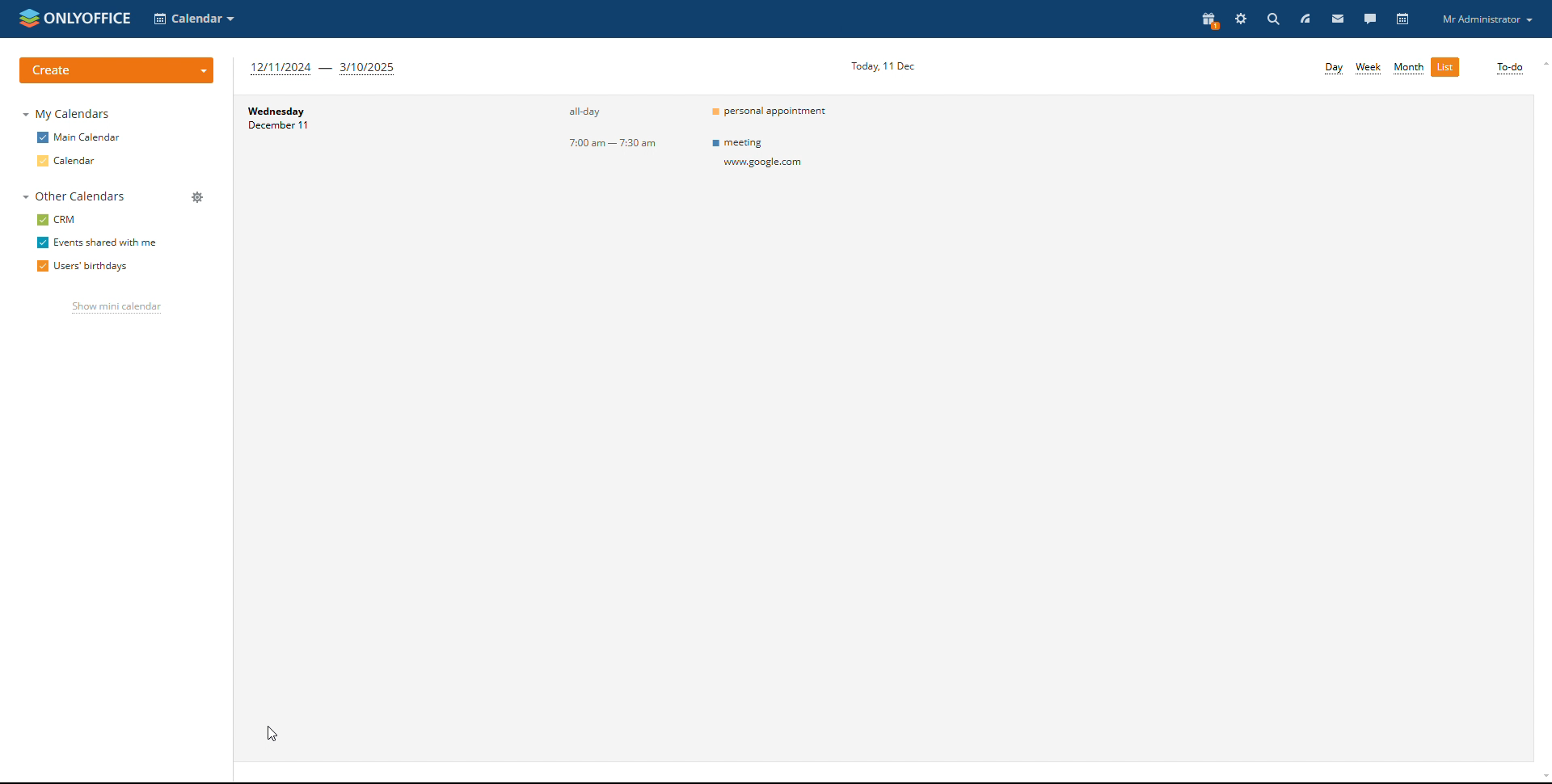 Image resolution: width=1552 pixels, height=784 pixels. I want to click on events, so click(770, 111).